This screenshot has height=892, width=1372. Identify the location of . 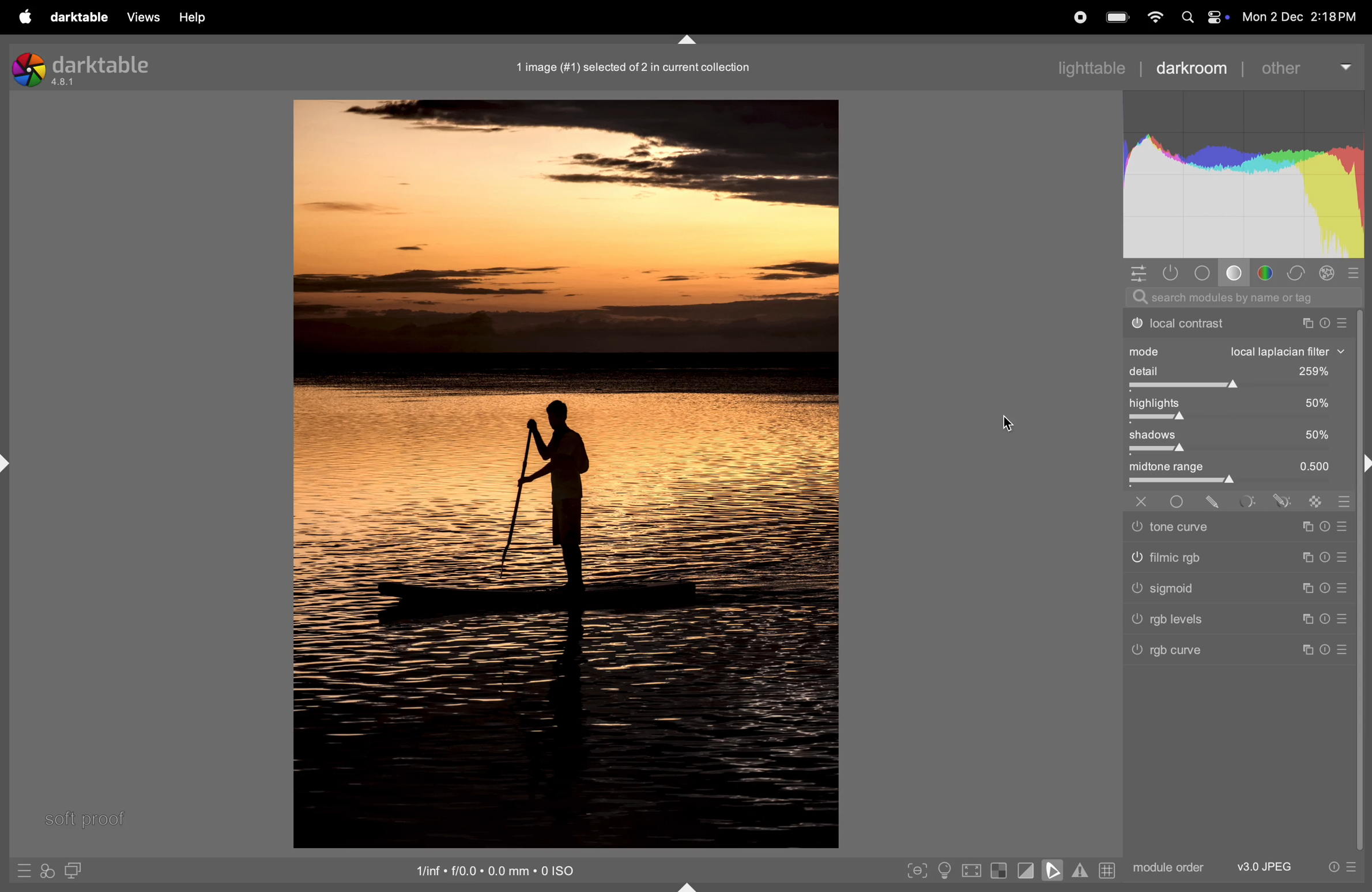
(1328, 650).